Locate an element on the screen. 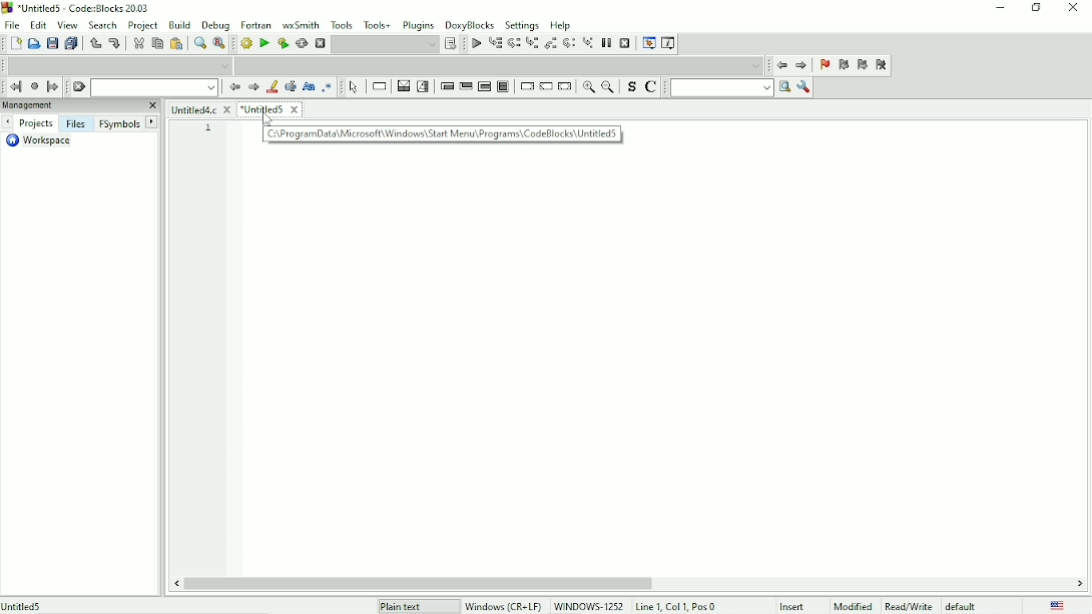  1 is located at coordinates (209, 128).